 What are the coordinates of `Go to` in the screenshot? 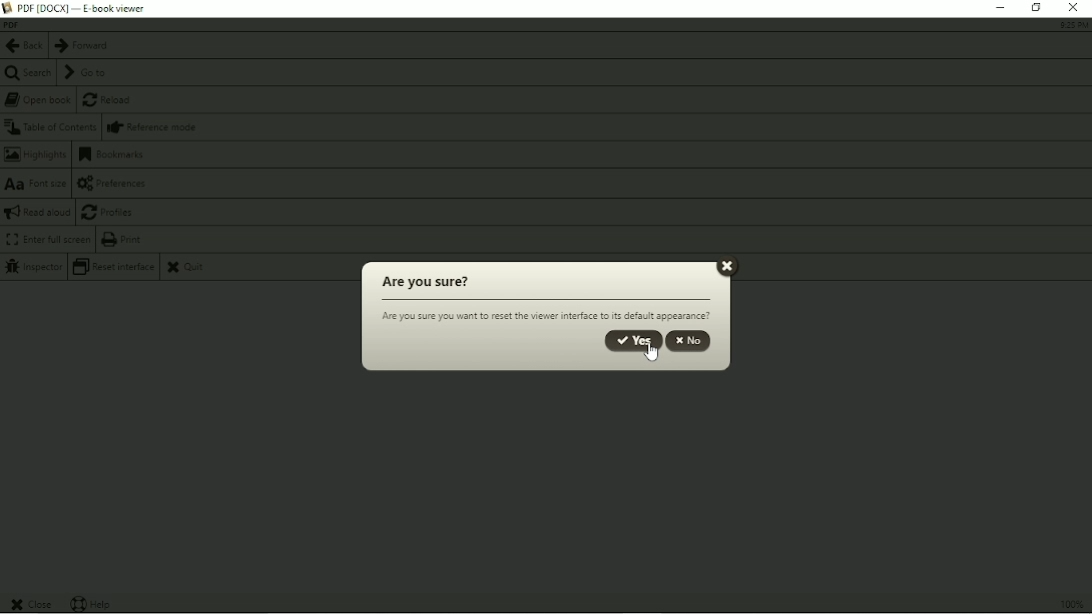 It's located at (84, 72).